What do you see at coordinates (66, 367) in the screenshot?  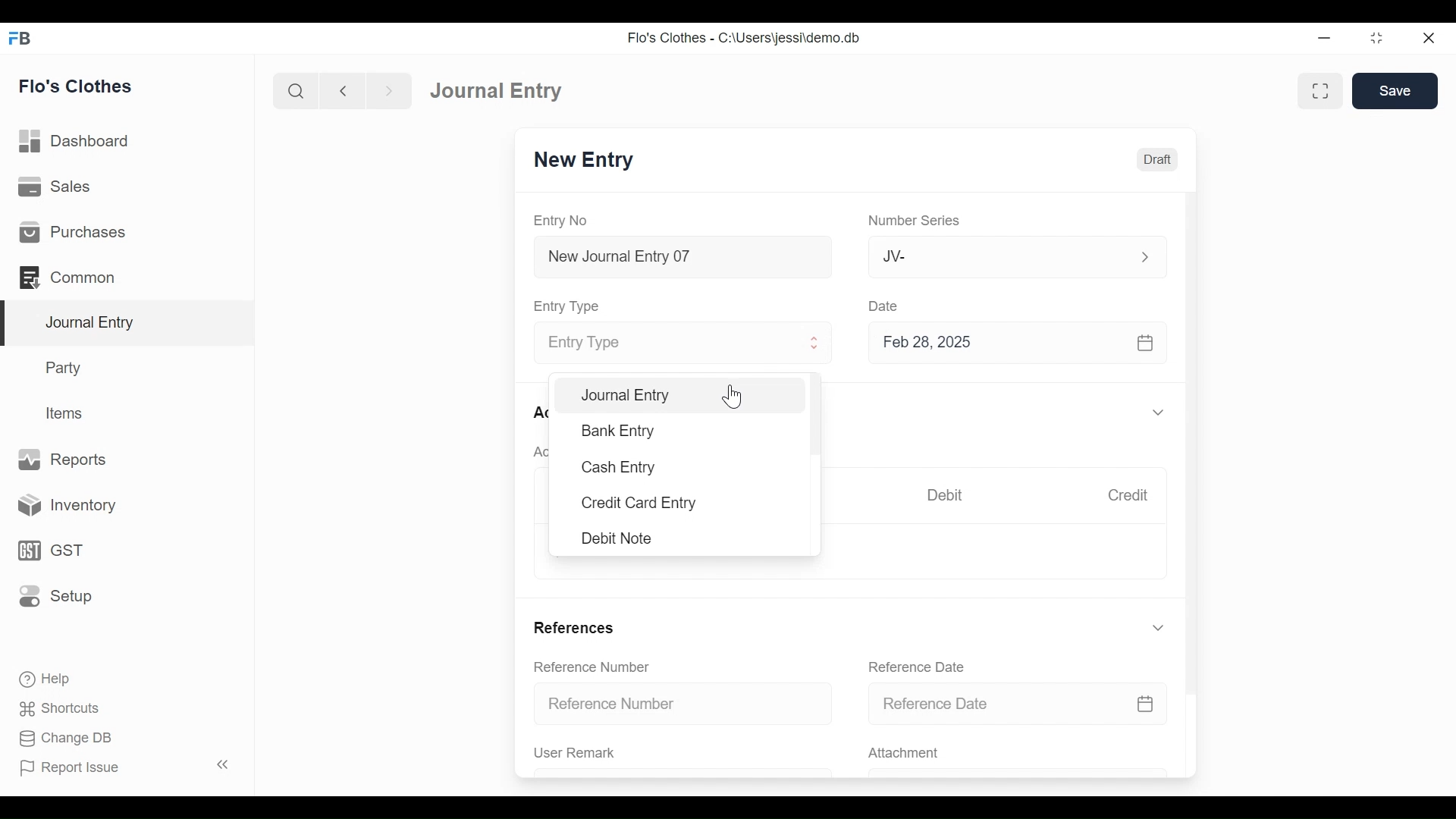 I see `Party` at bounding box center [66, 367].